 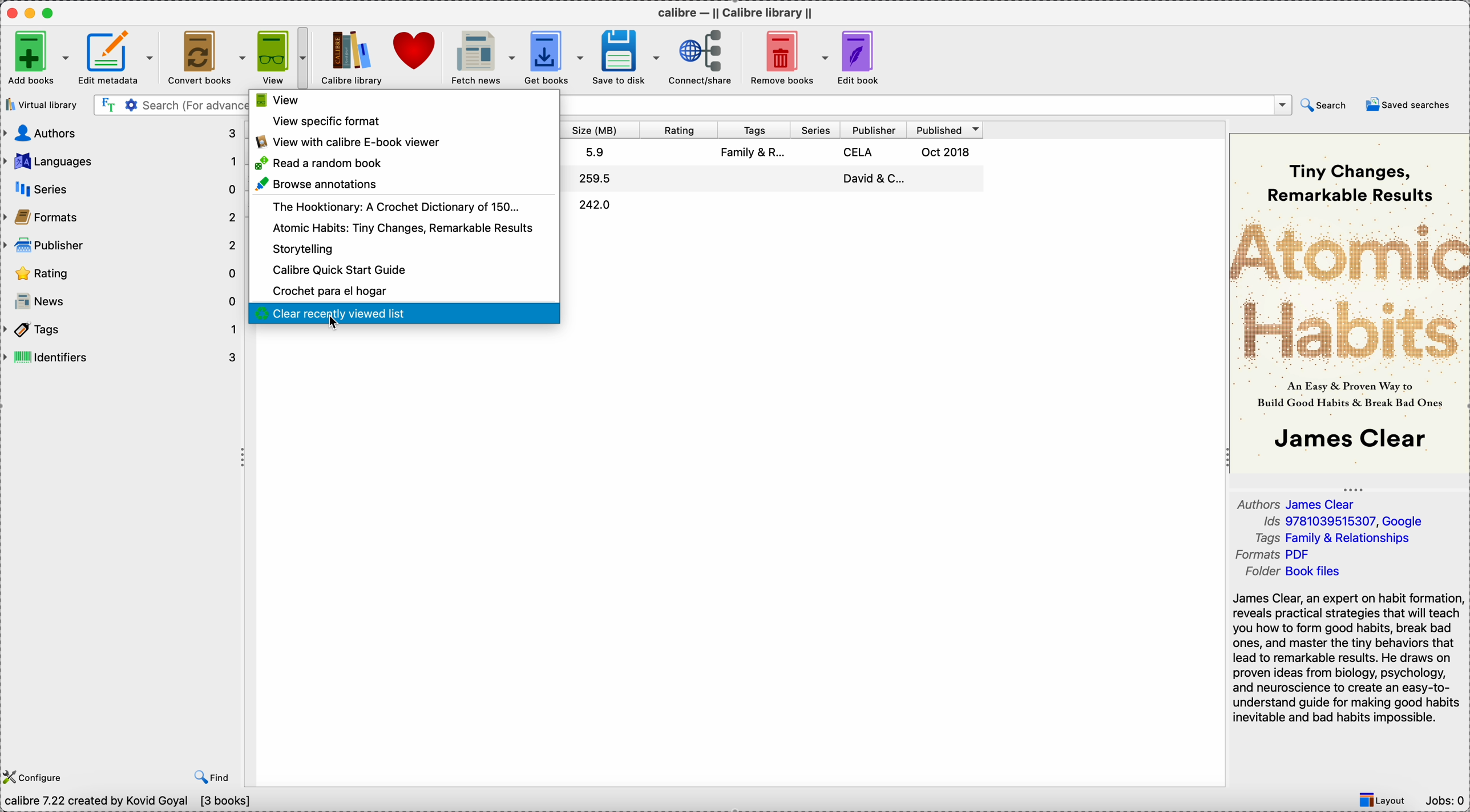 What do you see at coordinates (594, 178) in the screenshot?
I see `259.5` at bounding box center [594, 178].